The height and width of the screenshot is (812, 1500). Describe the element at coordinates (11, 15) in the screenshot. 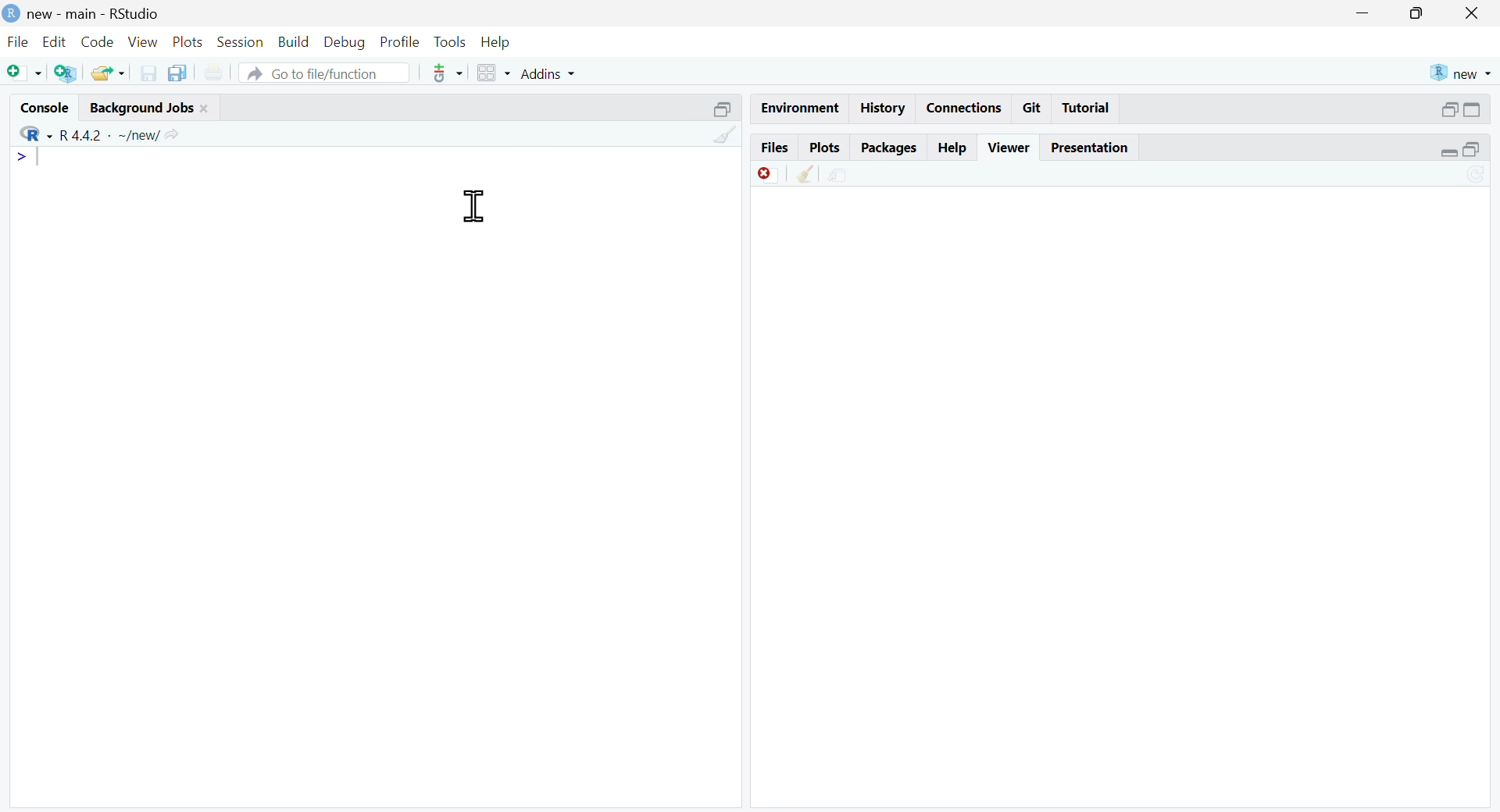

I see `logo` at that location.